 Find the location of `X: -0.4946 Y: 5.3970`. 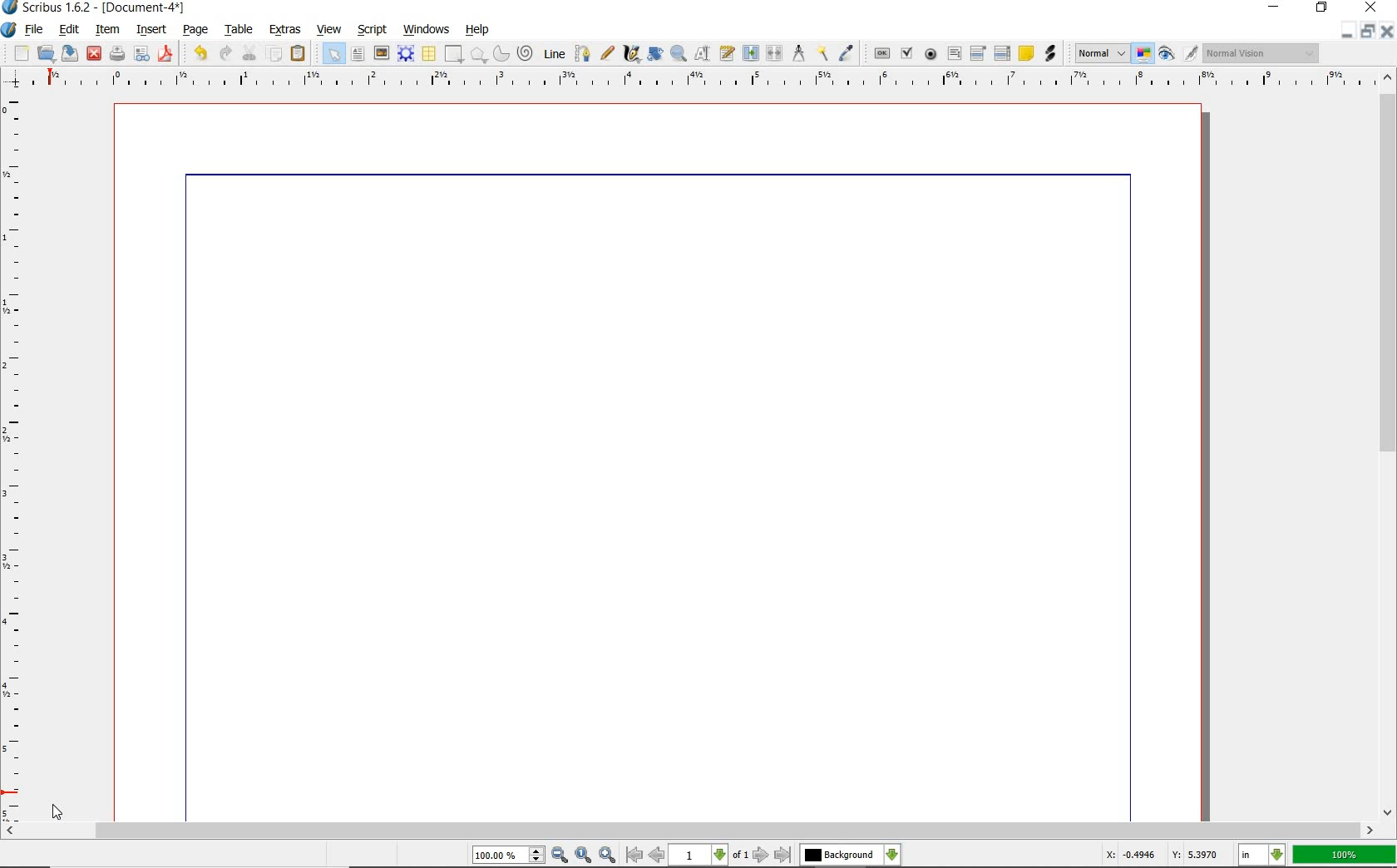

X: -0.4946 Y: 5.3970 is located at coordinates (1162, 856).